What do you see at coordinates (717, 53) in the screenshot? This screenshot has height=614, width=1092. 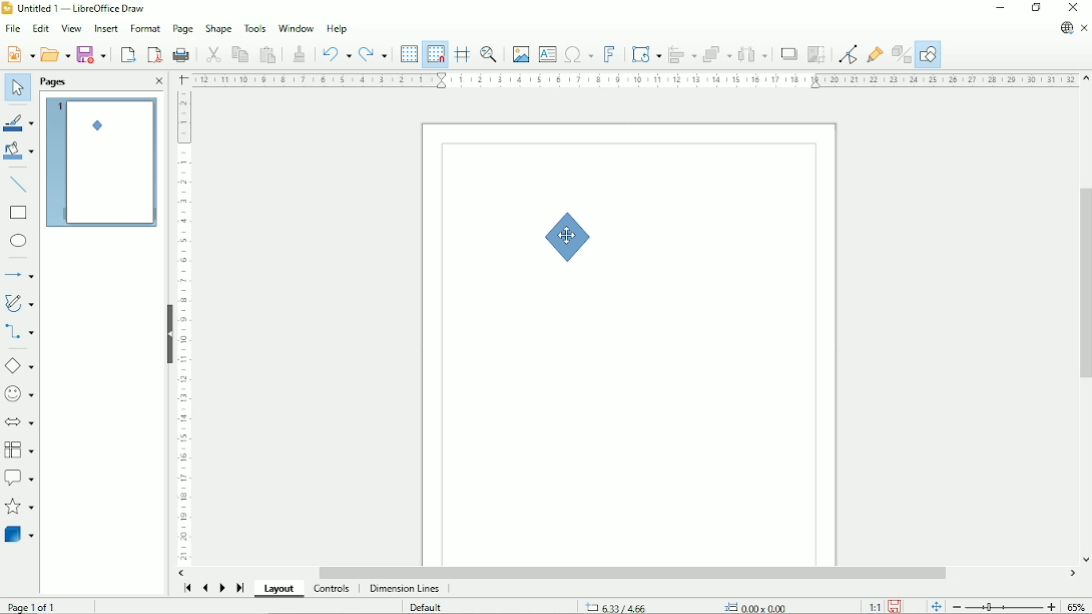 I see `Arrange` at bounding box center [717, 53].